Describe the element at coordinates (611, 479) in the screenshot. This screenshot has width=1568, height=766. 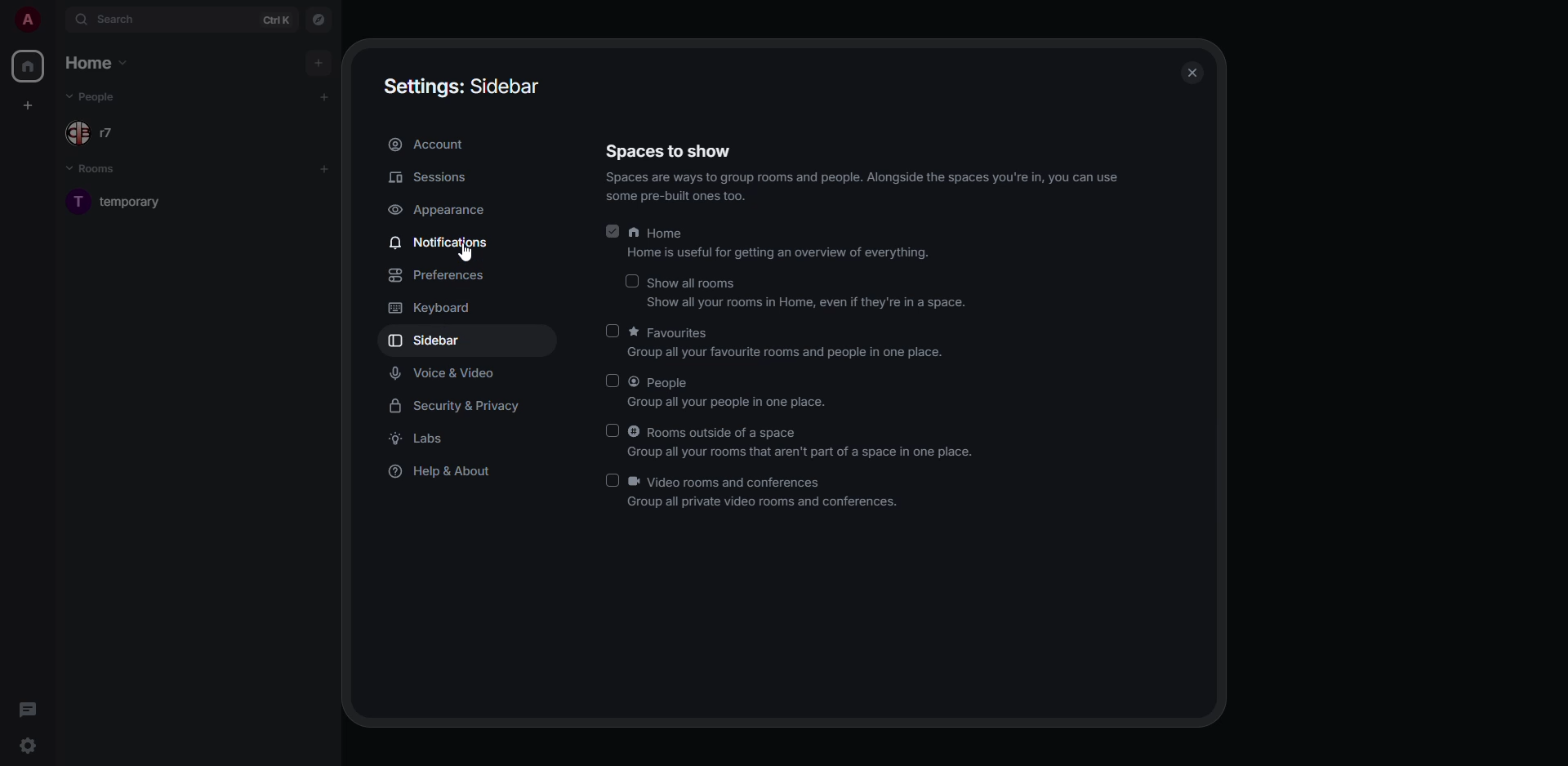
I see `click to enable` at that location.